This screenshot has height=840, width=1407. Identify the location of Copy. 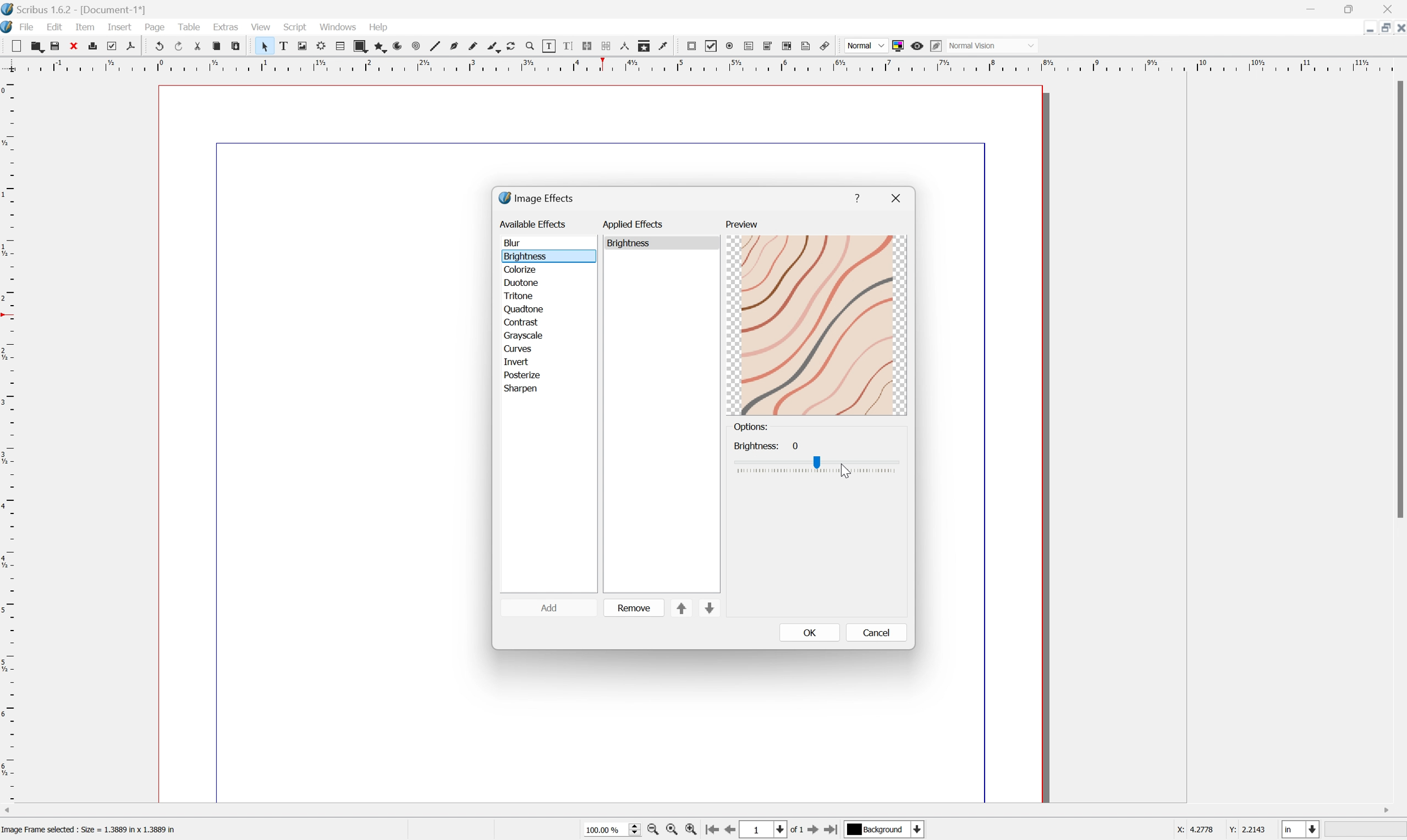
(216, 46).